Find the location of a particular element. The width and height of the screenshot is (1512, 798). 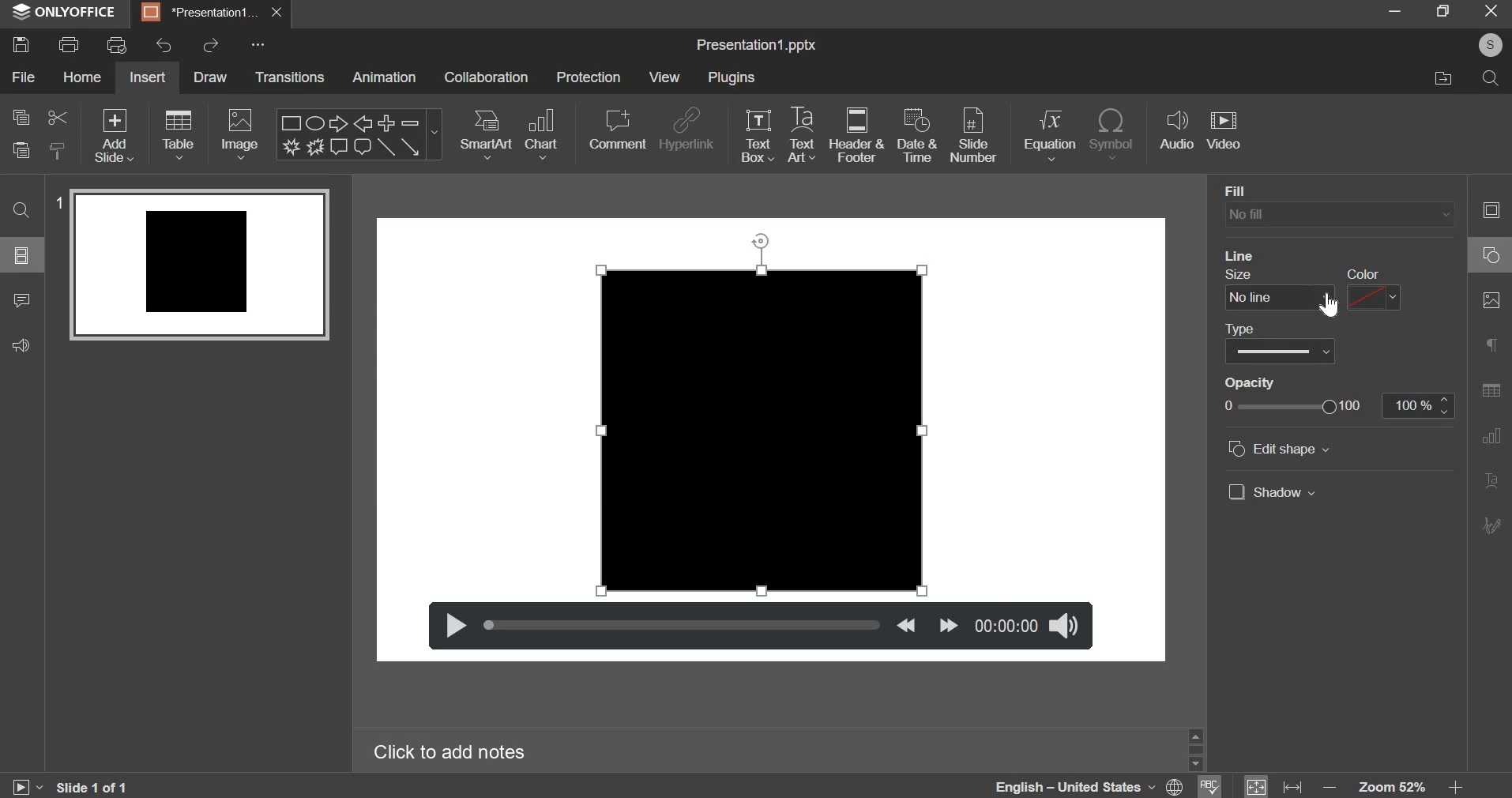

Up and Down  is located at coordinates (1198, 747).